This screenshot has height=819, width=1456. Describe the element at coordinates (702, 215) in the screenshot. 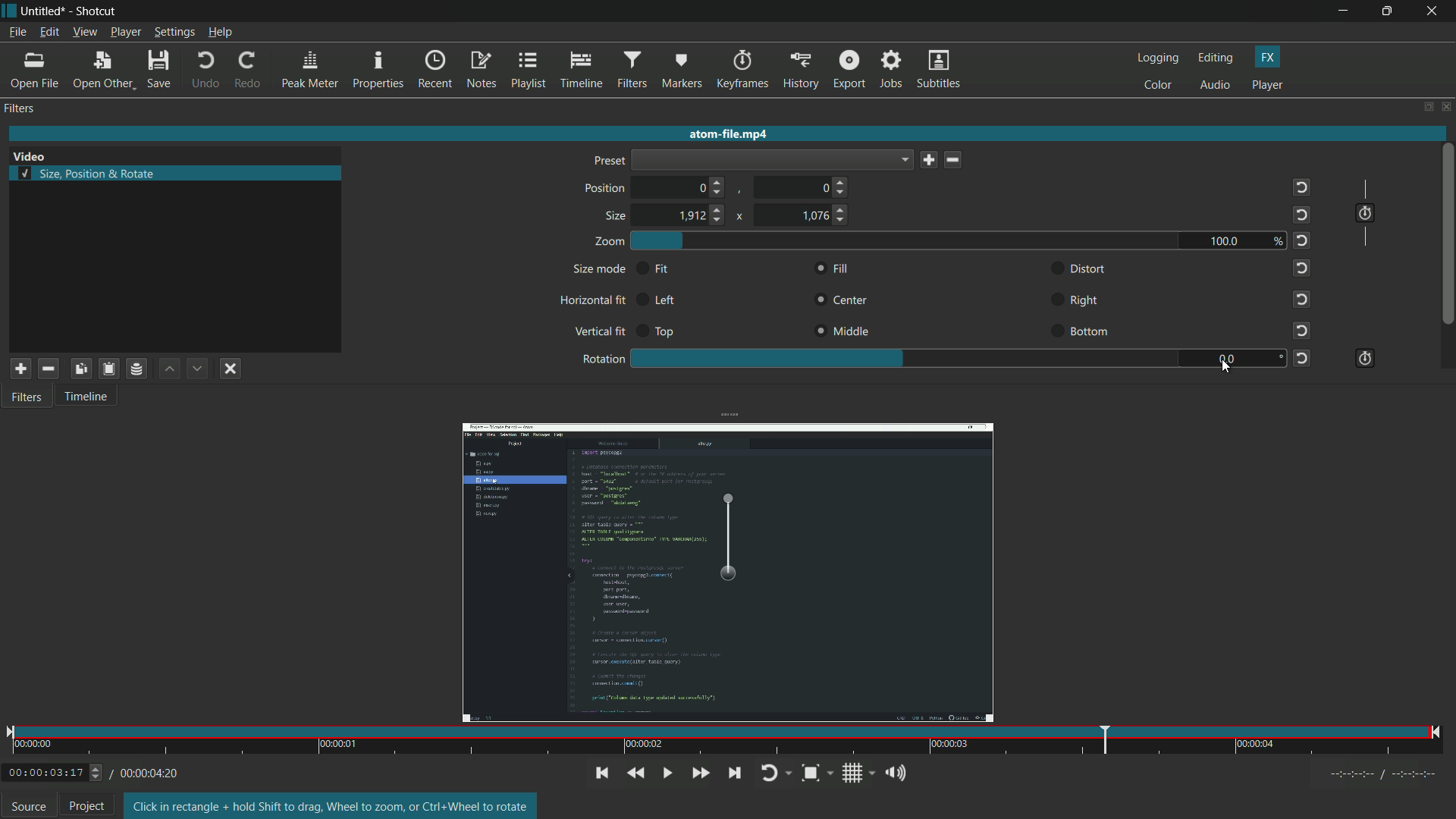

I see `1912 (choose size)` at that location.